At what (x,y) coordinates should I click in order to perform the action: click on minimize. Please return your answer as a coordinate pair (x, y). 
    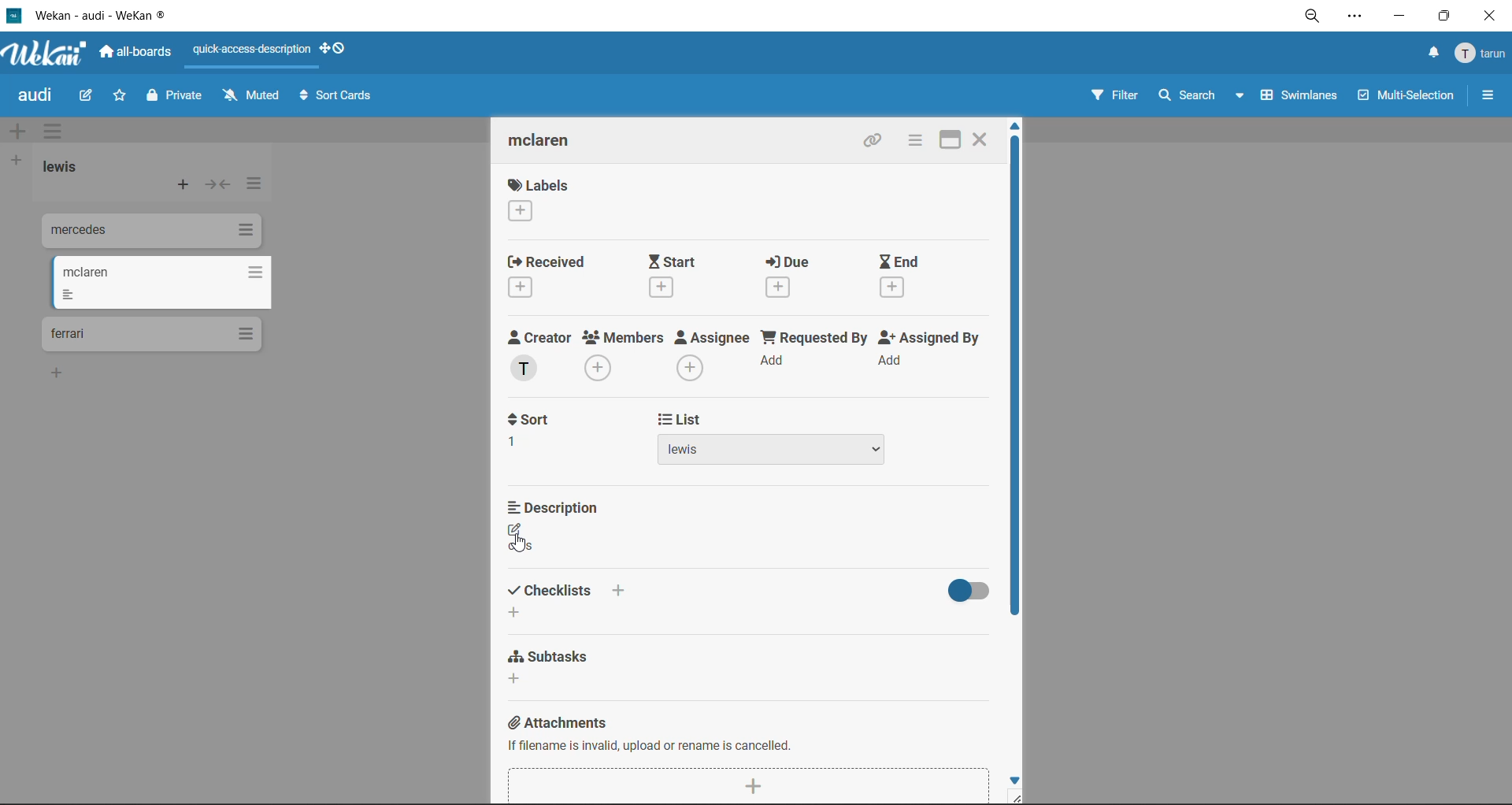
    Looking at the image, I should click on (1398, 14).